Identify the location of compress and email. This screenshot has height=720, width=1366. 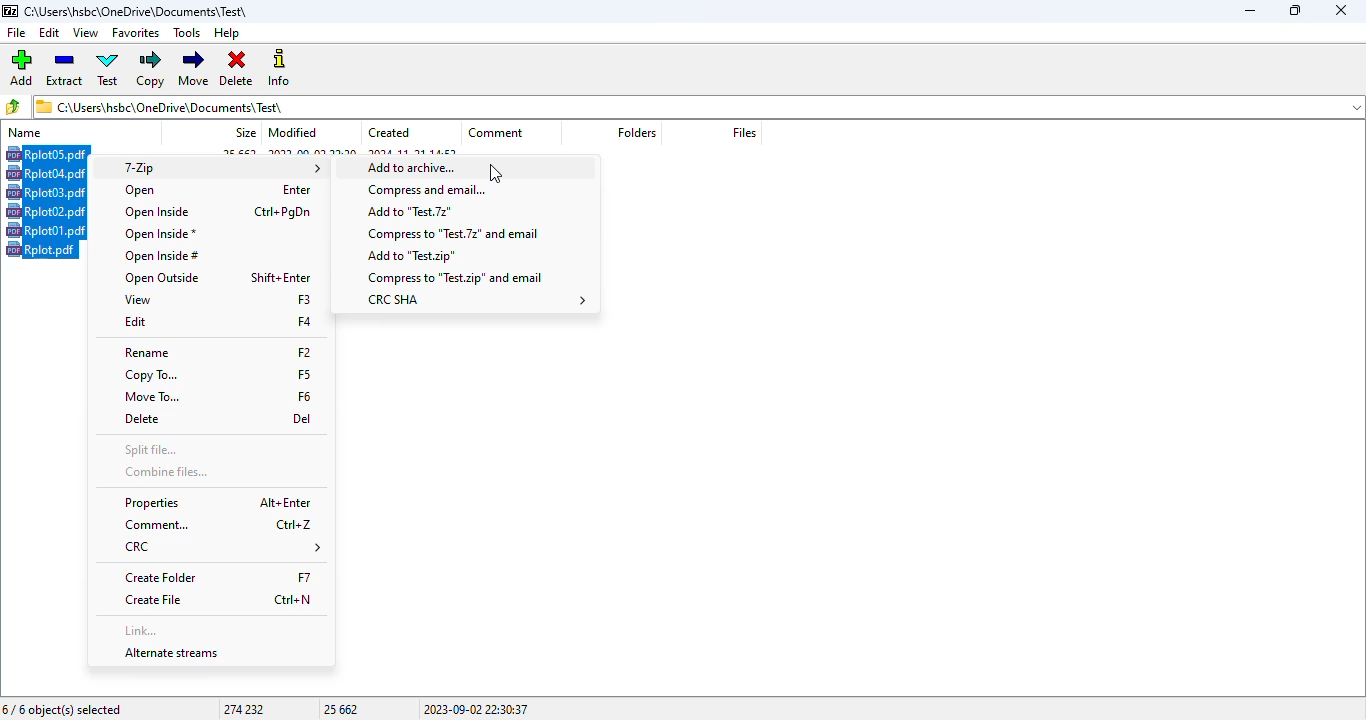
(429, 190).